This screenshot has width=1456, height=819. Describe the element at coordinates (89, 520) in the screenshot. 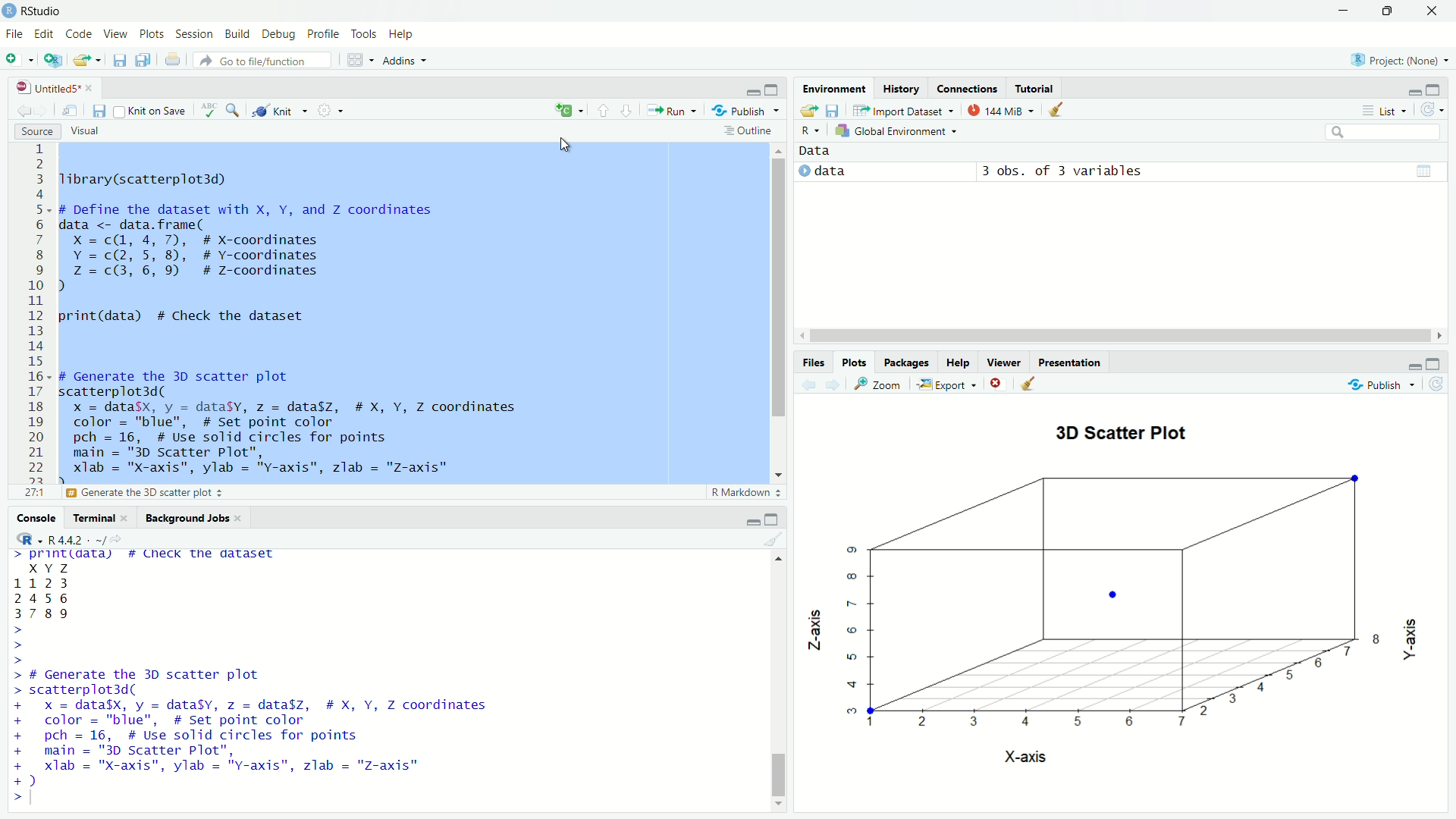

I see `terminal` at that location.